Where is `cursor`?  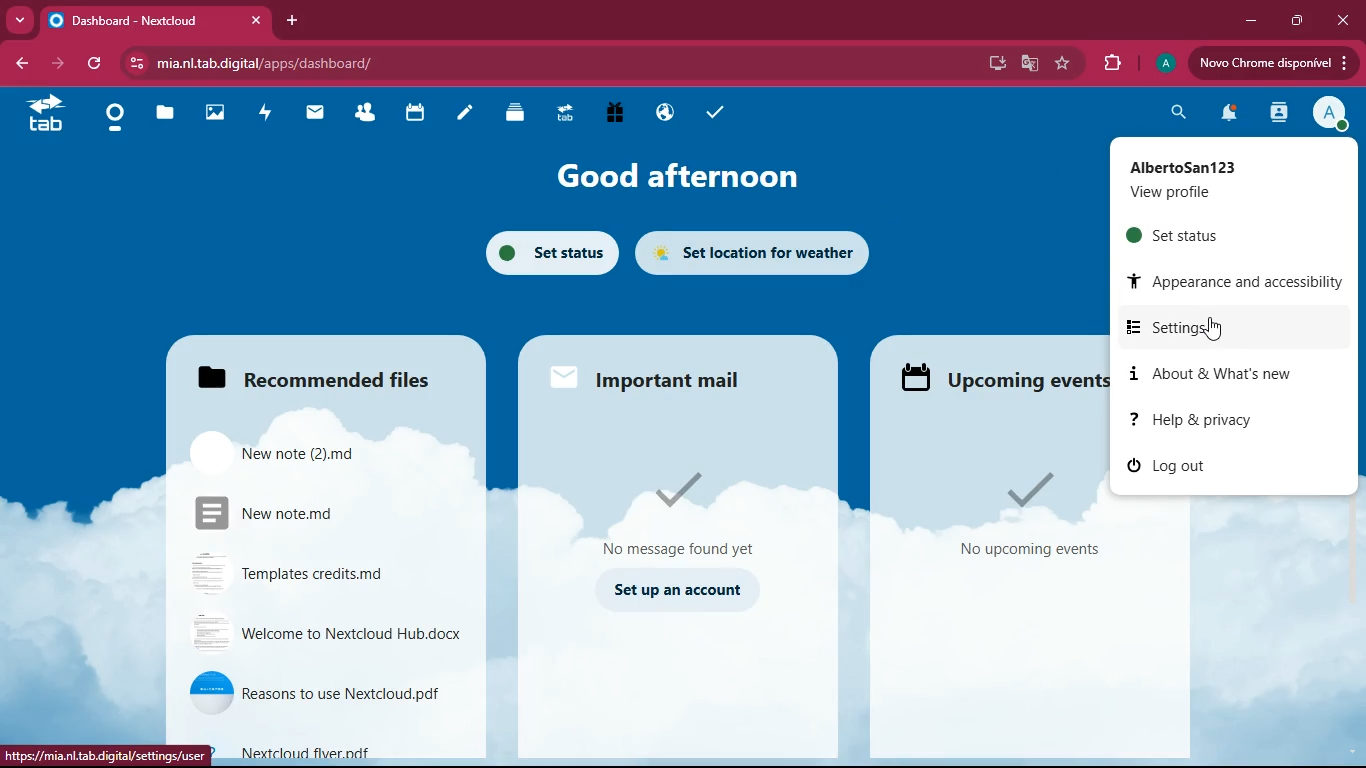 cursor is located at coordinates (1217, 329).